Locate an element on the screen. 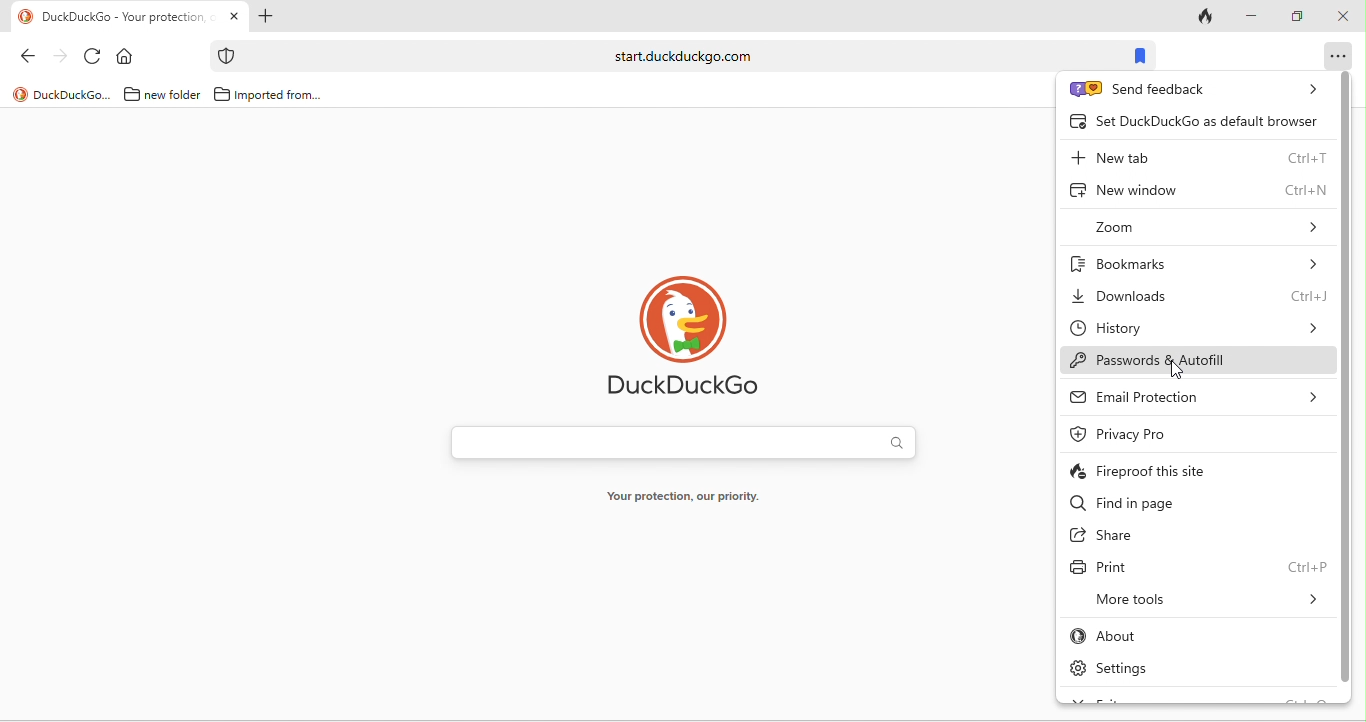 This screenshot has height=722, width=1366. about is located at coordinates (1121, 637).